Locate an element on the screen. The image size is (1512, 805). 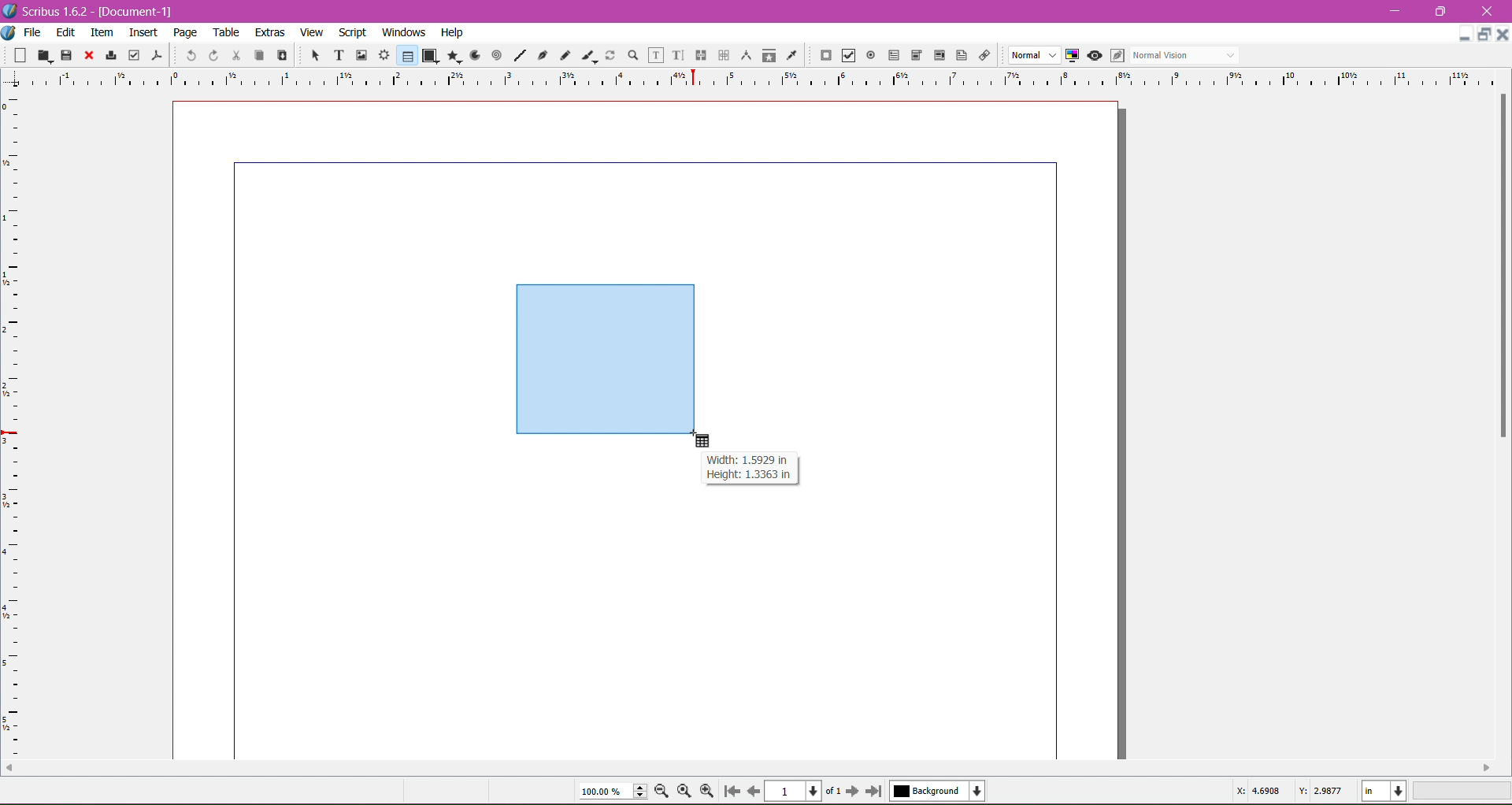
Zoom in or out is located at coordinates (628, 54).